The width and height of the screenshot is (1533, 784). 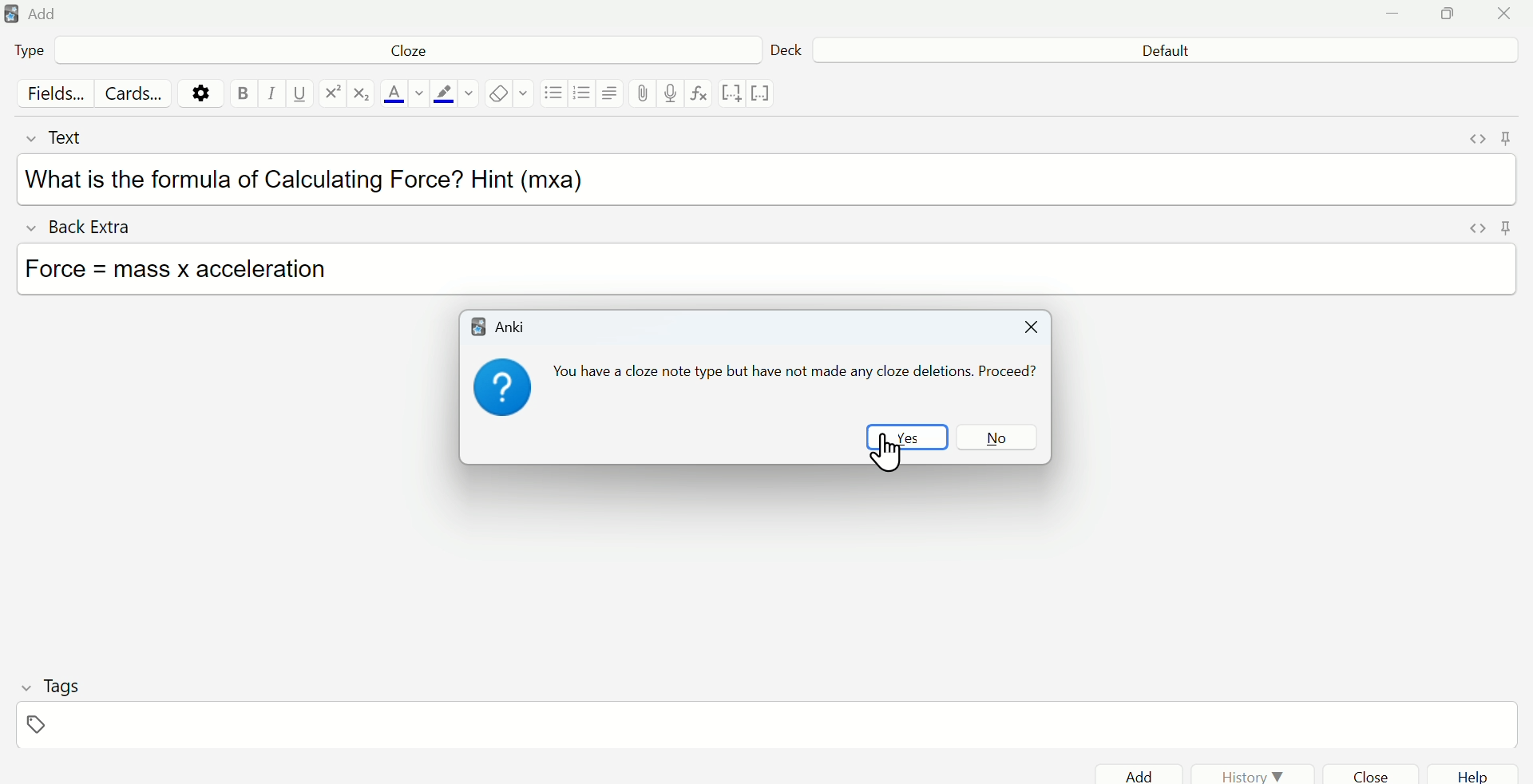 I want to click on Yes, so click(x=908, y=435).